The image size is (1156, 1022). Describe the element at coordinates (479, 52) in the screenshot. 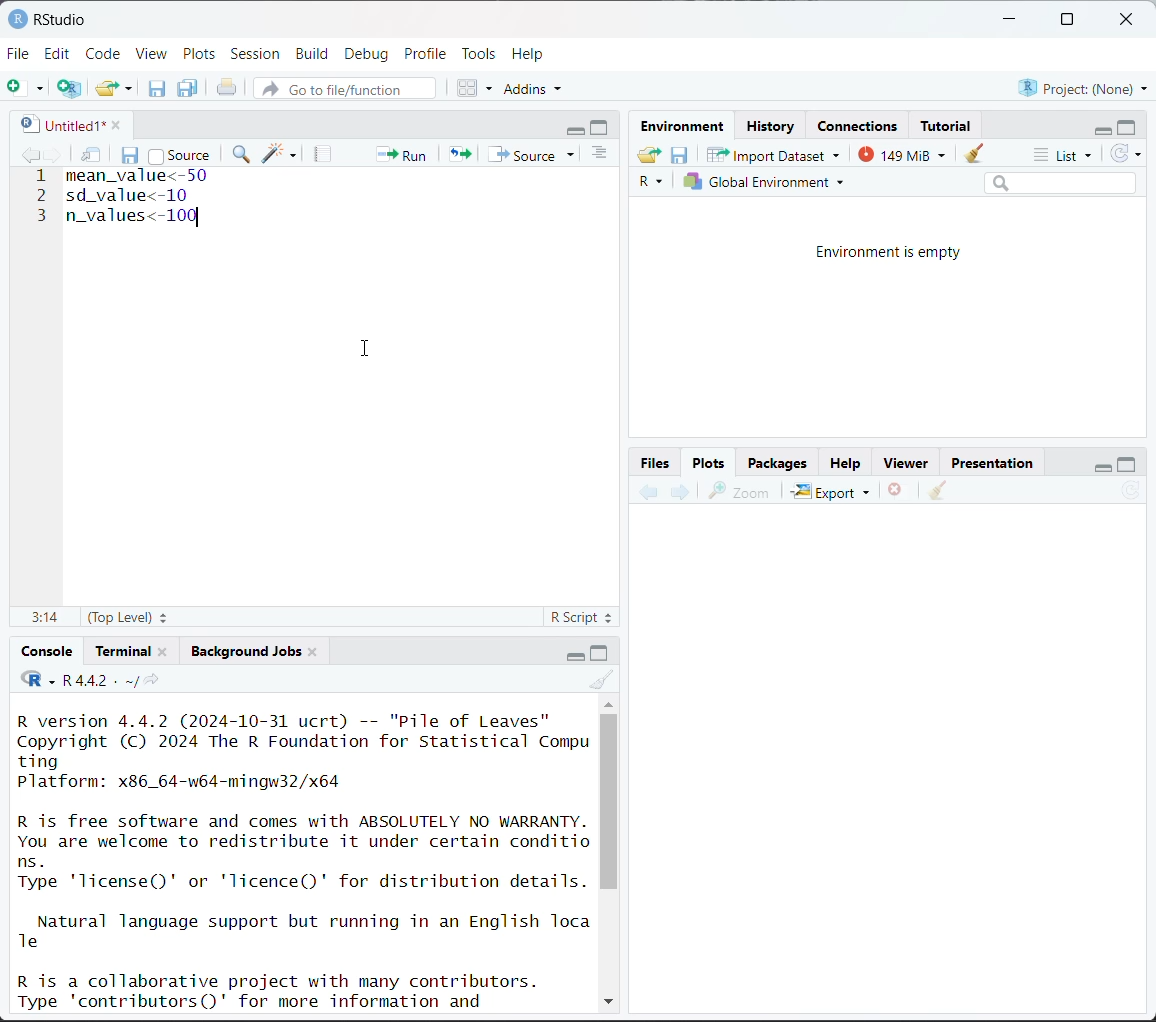

I see `Tools` at that location.